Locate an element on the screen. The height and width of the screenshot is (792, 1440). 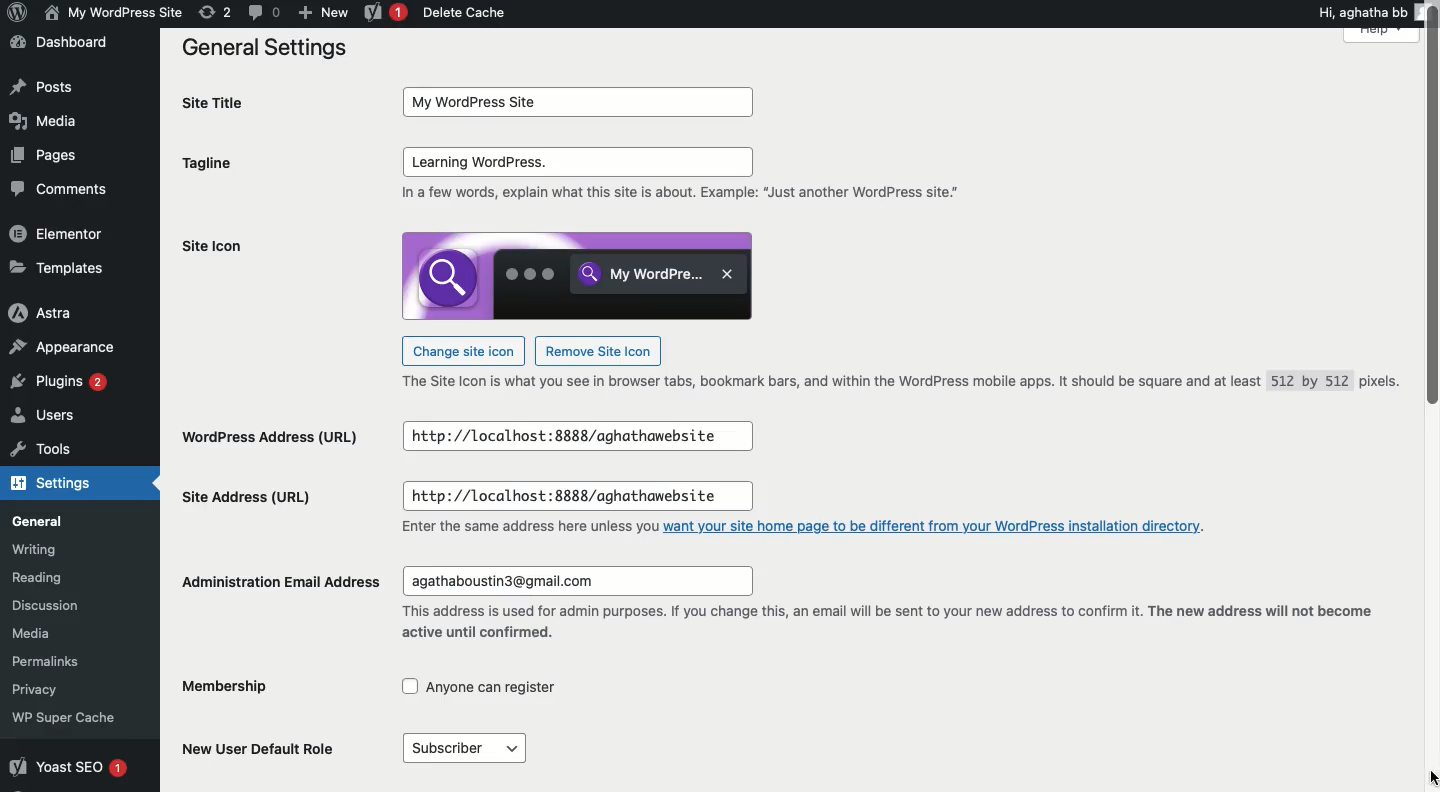
New is located at coordinates (323, 11).